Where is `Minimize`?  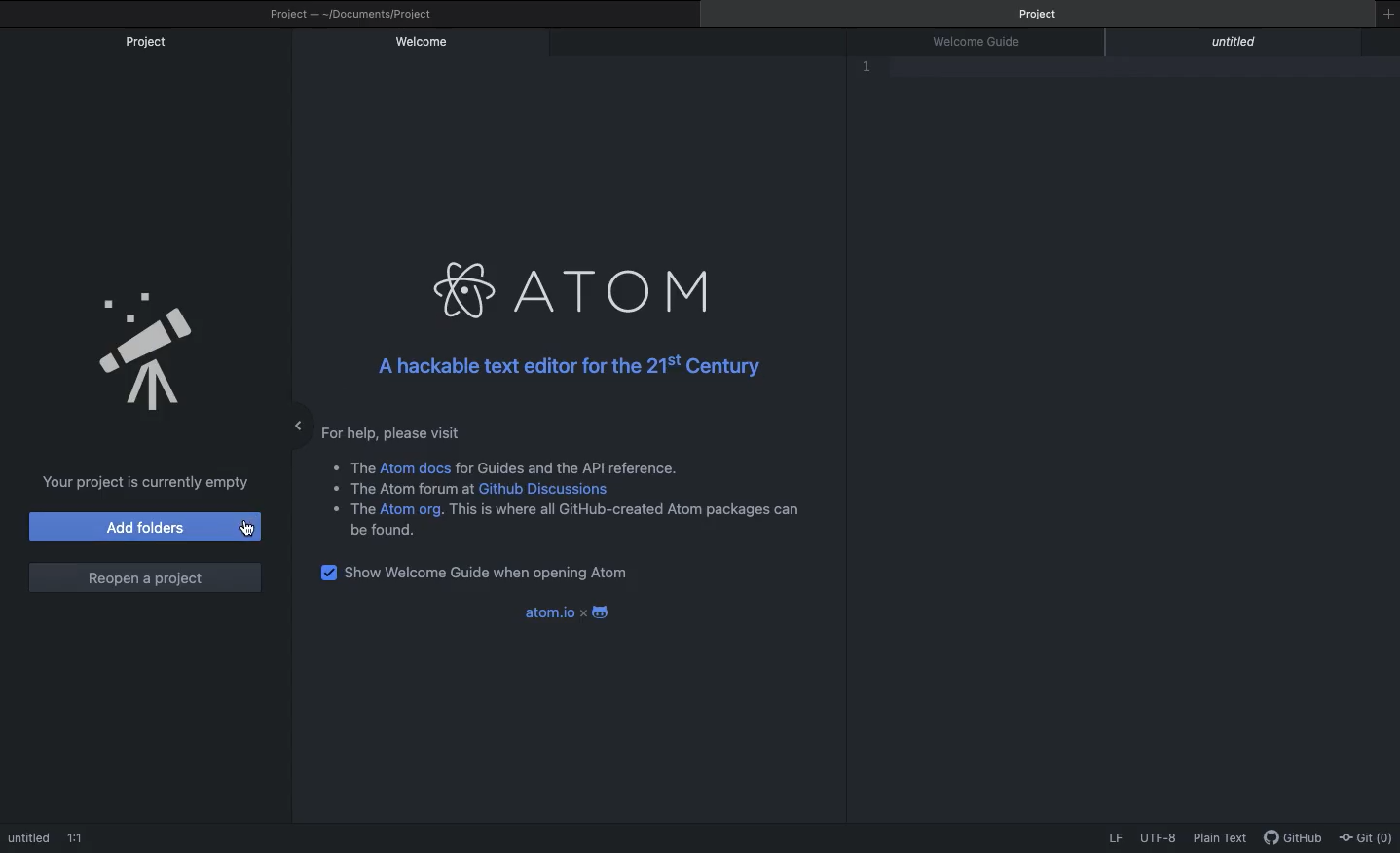
Minimize is located at coordinates (303, 422).